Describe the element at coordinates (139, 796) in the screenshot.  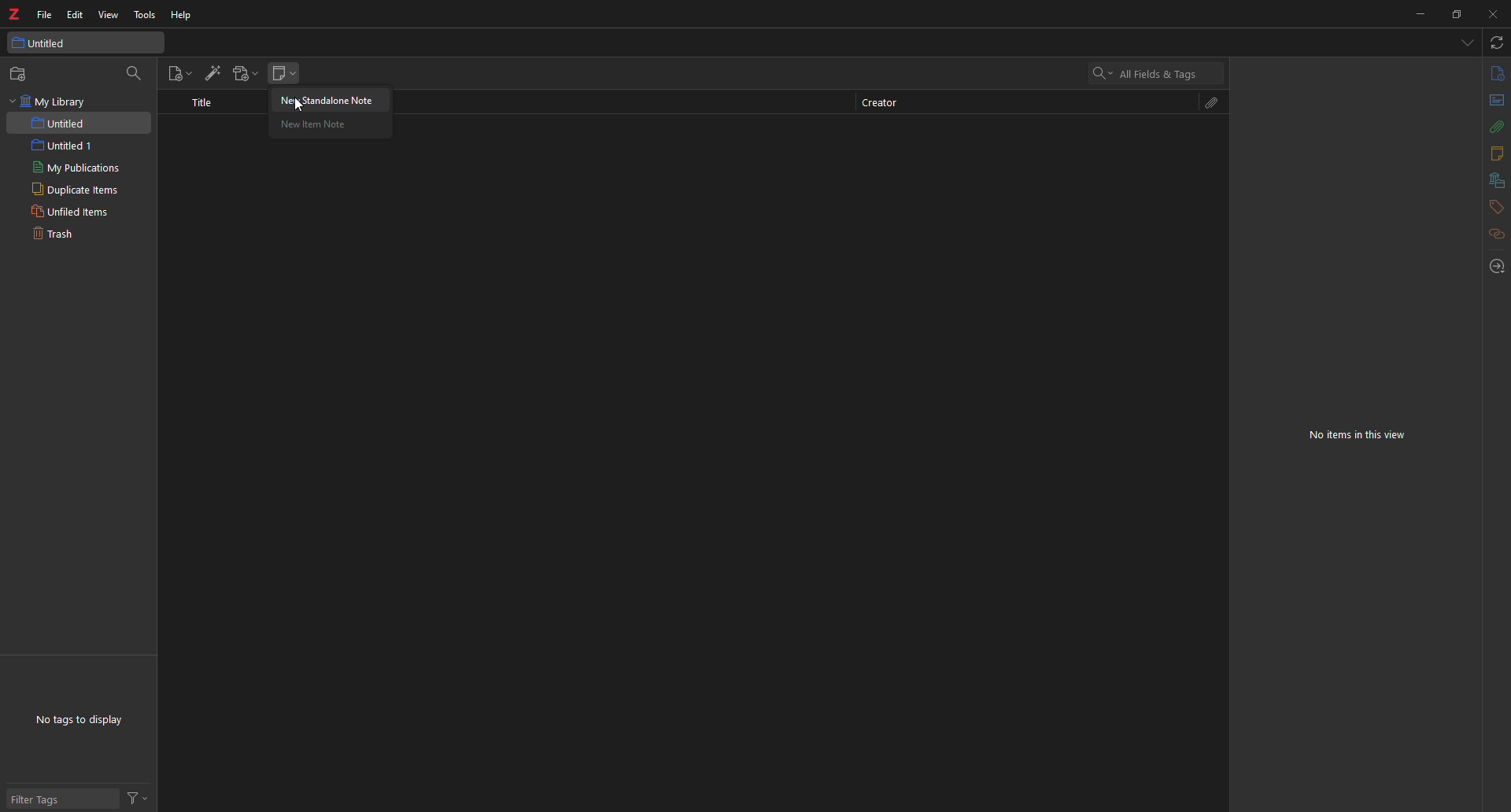
I see `actions` at that location.